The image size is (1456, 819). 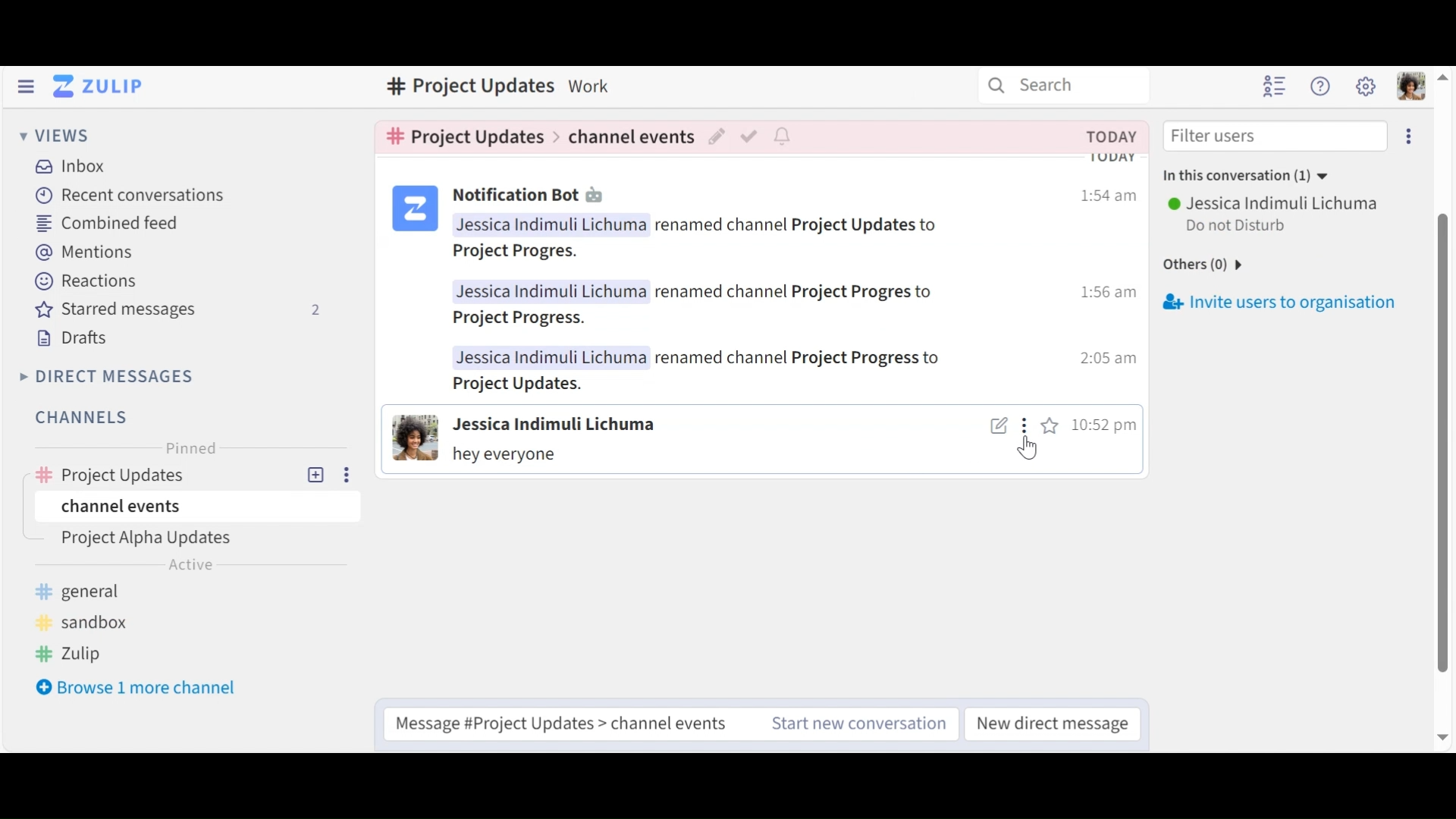 I want to click on sandbox, so click(x=87, y=620).